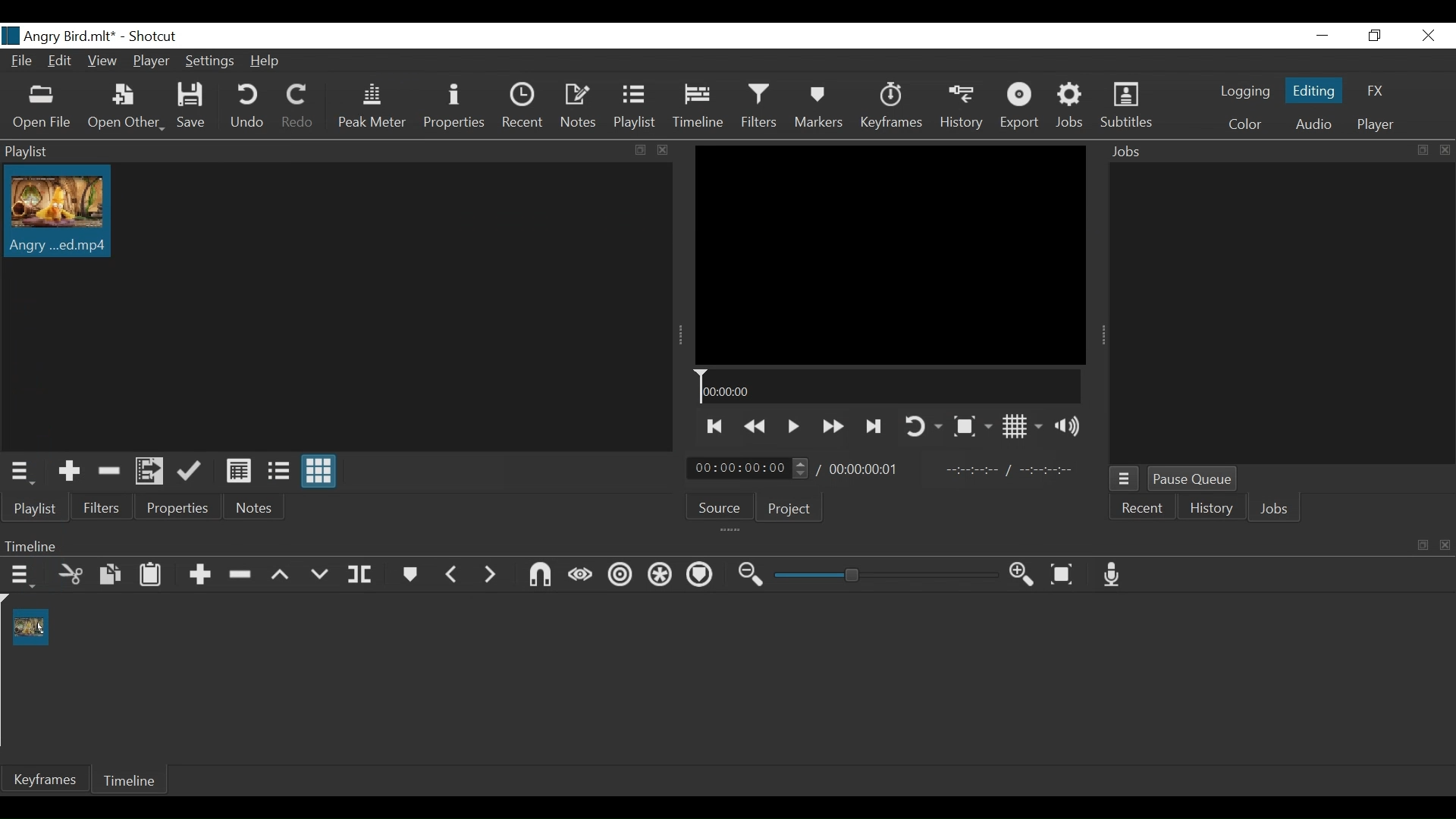 The height and width of the screenshot is (819, 1456). What do you see at coordinates (209, 60) in the screenshot?
I see `Settings` at bounding box center [209, 60].